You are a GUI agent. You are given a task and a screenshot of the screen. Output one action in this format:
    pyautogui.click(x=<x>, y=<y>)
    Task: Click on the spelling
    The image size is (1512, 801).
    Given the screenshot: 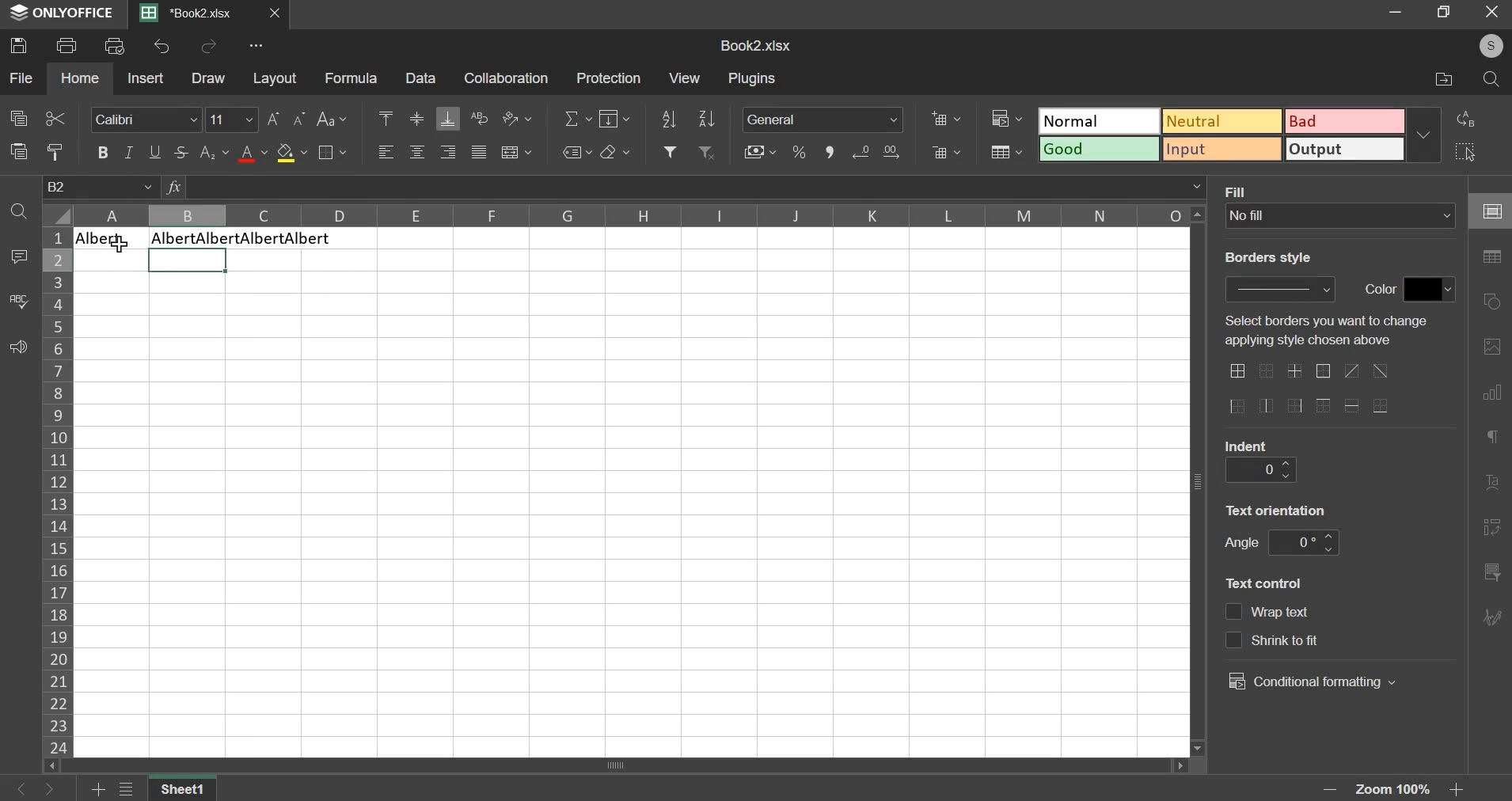 What is the action you would take?
    pyautogui.click(x=18, y=300)
    